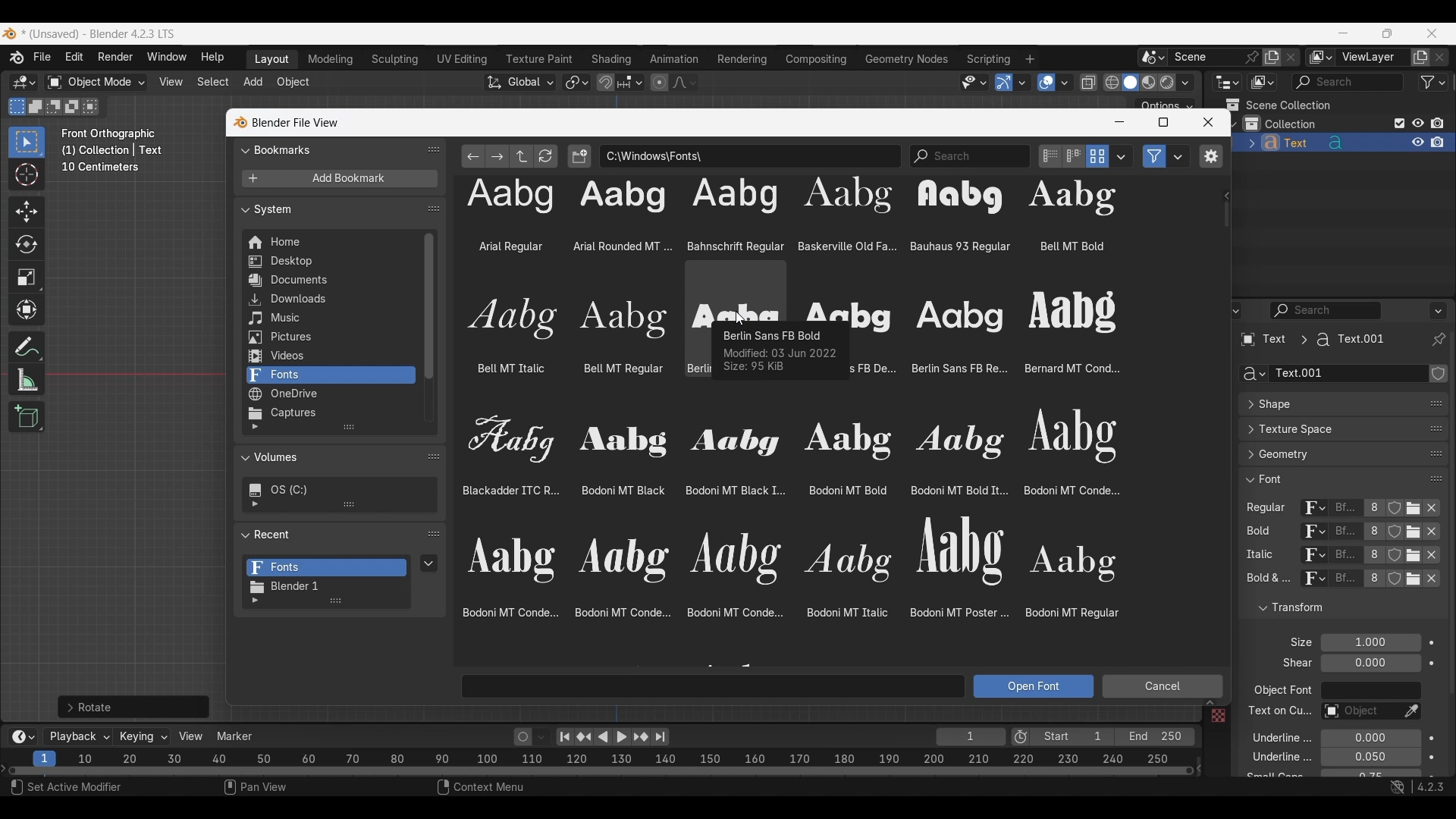 This screenshot has width=1456, height=819. I want to click on Name, so click(1350, 374).